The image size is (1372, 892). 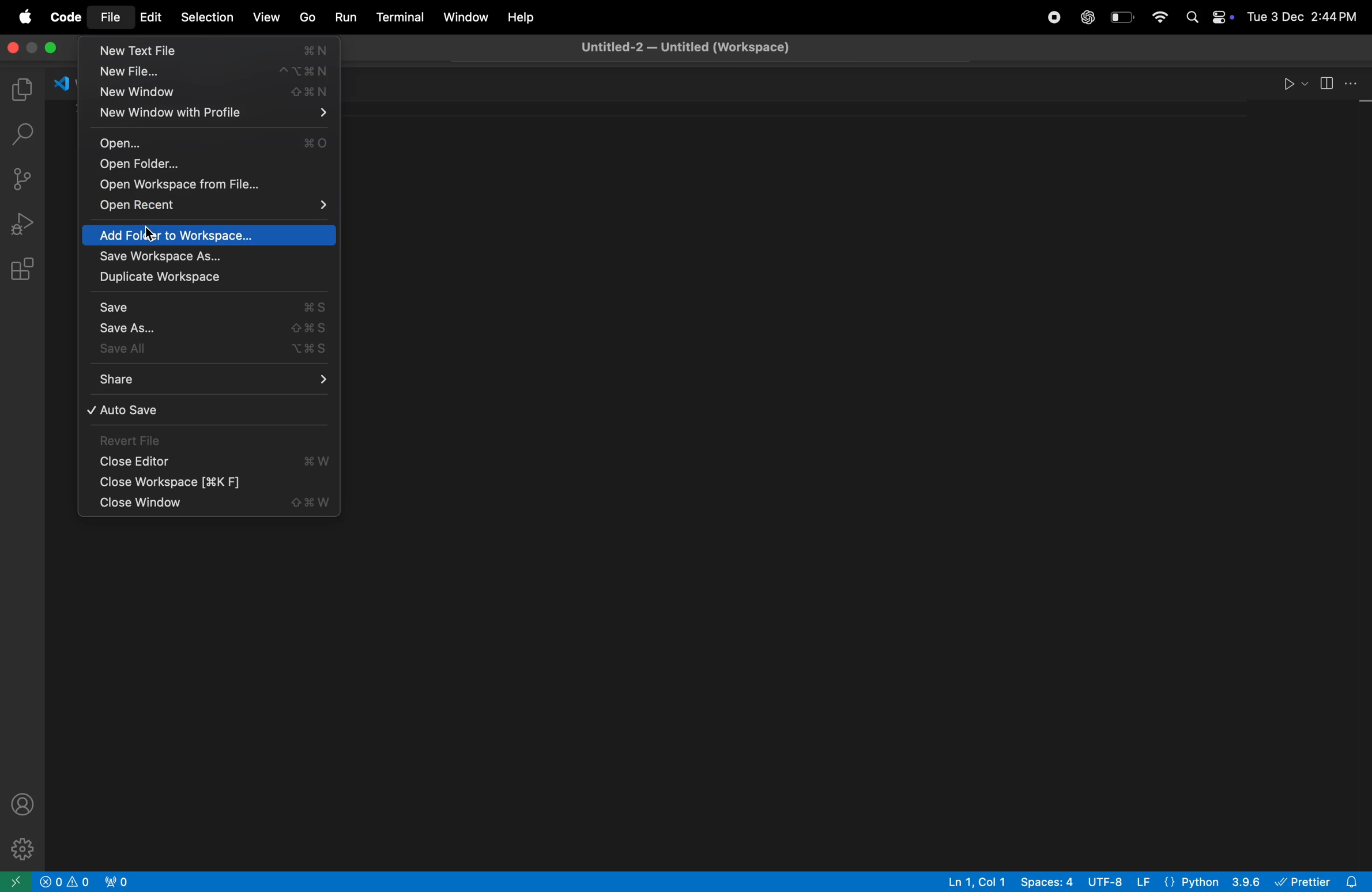 What do you see at coordinates (64, 82) in the screenshot?
I see `welcome` at bounding box center [64, 82].